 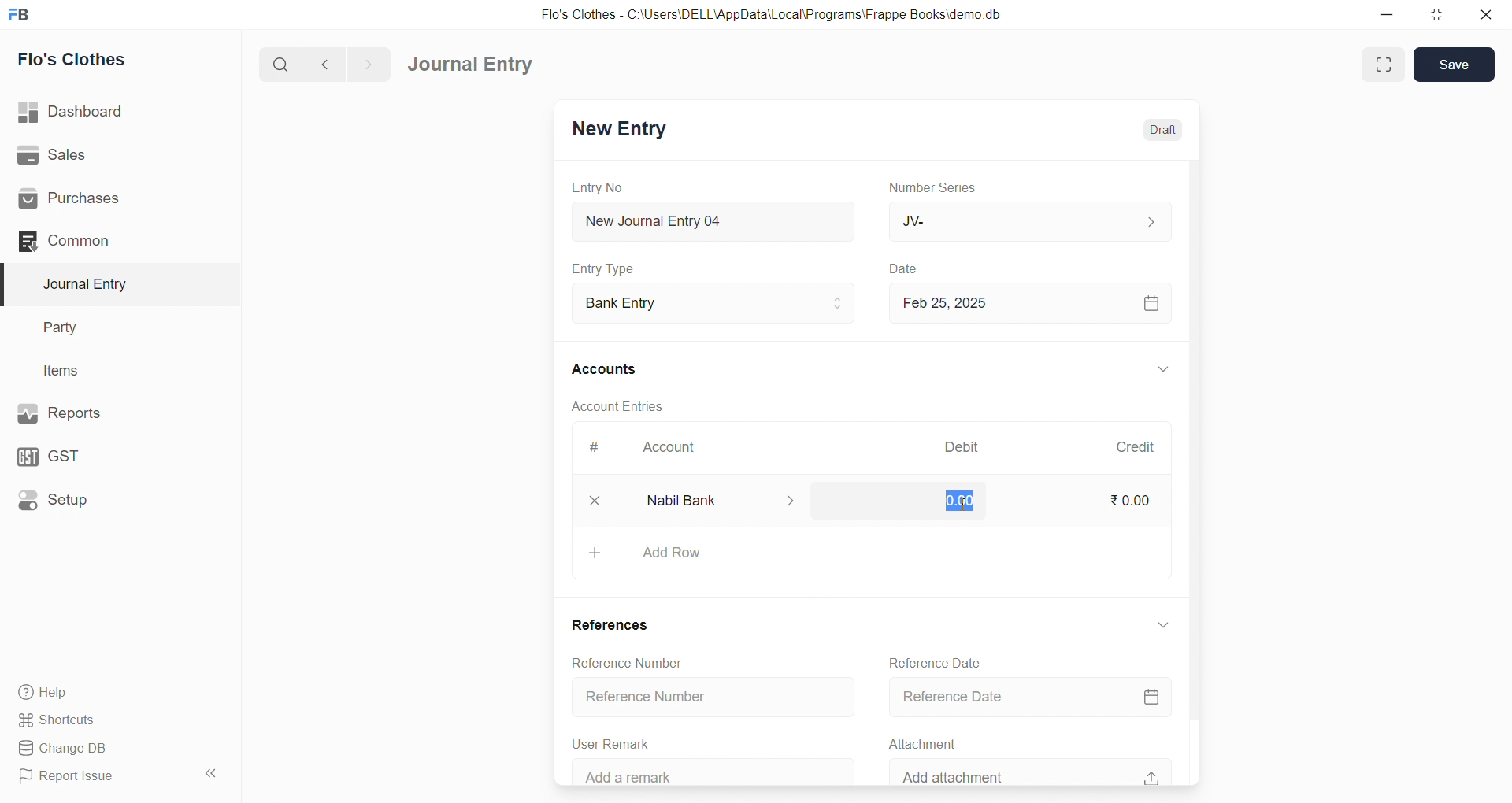 I want to click on Reference Date, so click(x=1026, y=698).